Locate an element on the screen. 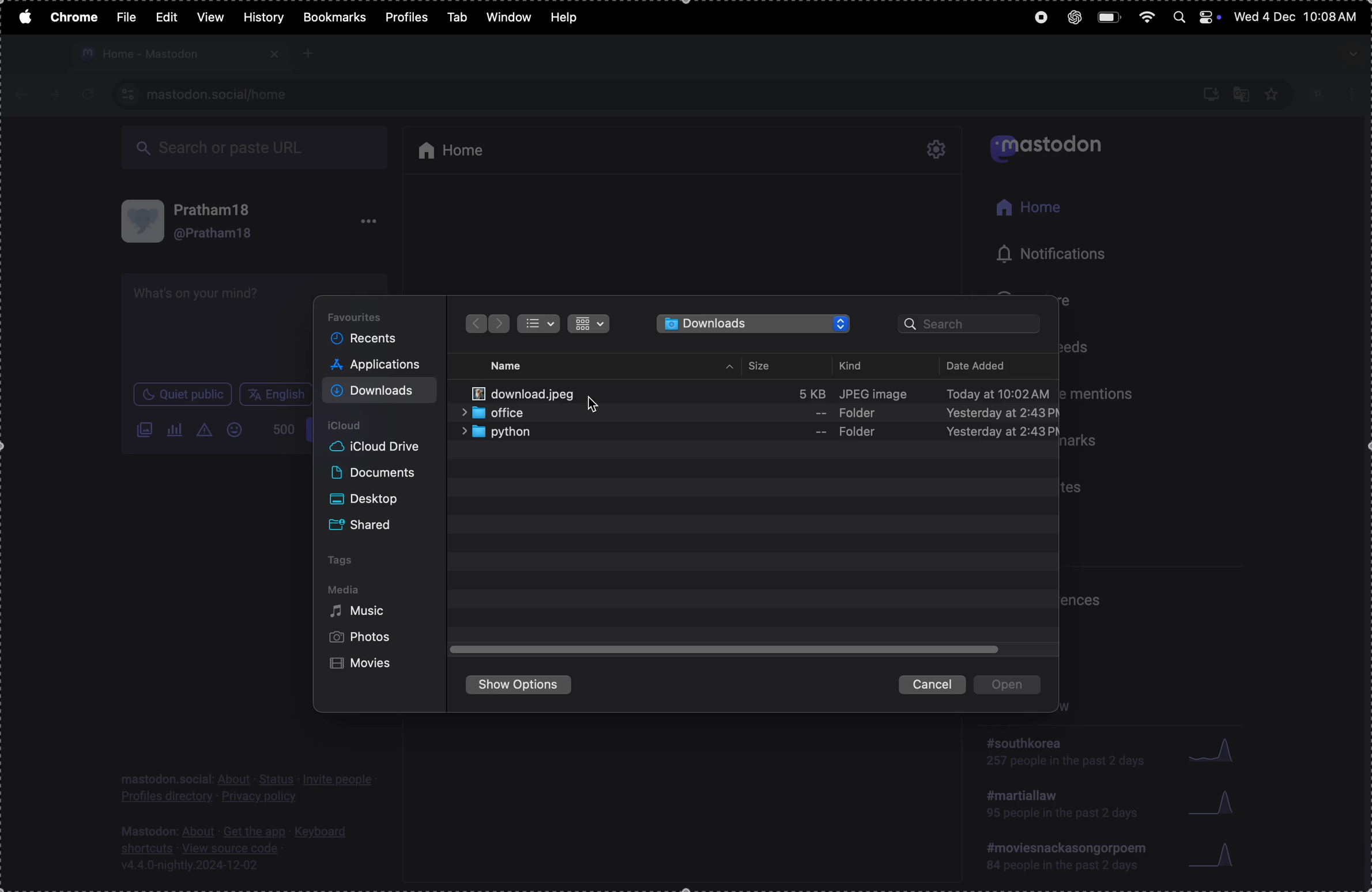 The image size is (1372, 892). User profile is located at coordinates (226, 221).